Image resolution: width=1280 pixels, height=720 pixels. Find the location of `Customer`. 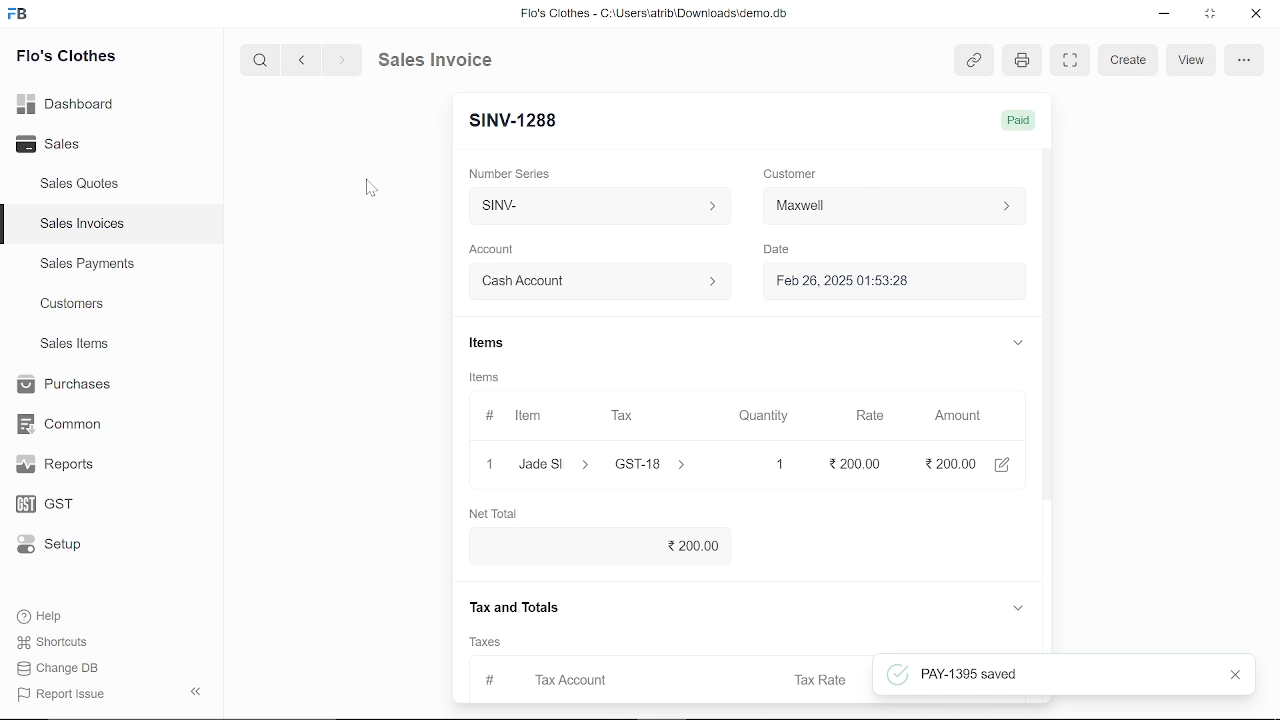

Customer is located at coordinates (896, 209).